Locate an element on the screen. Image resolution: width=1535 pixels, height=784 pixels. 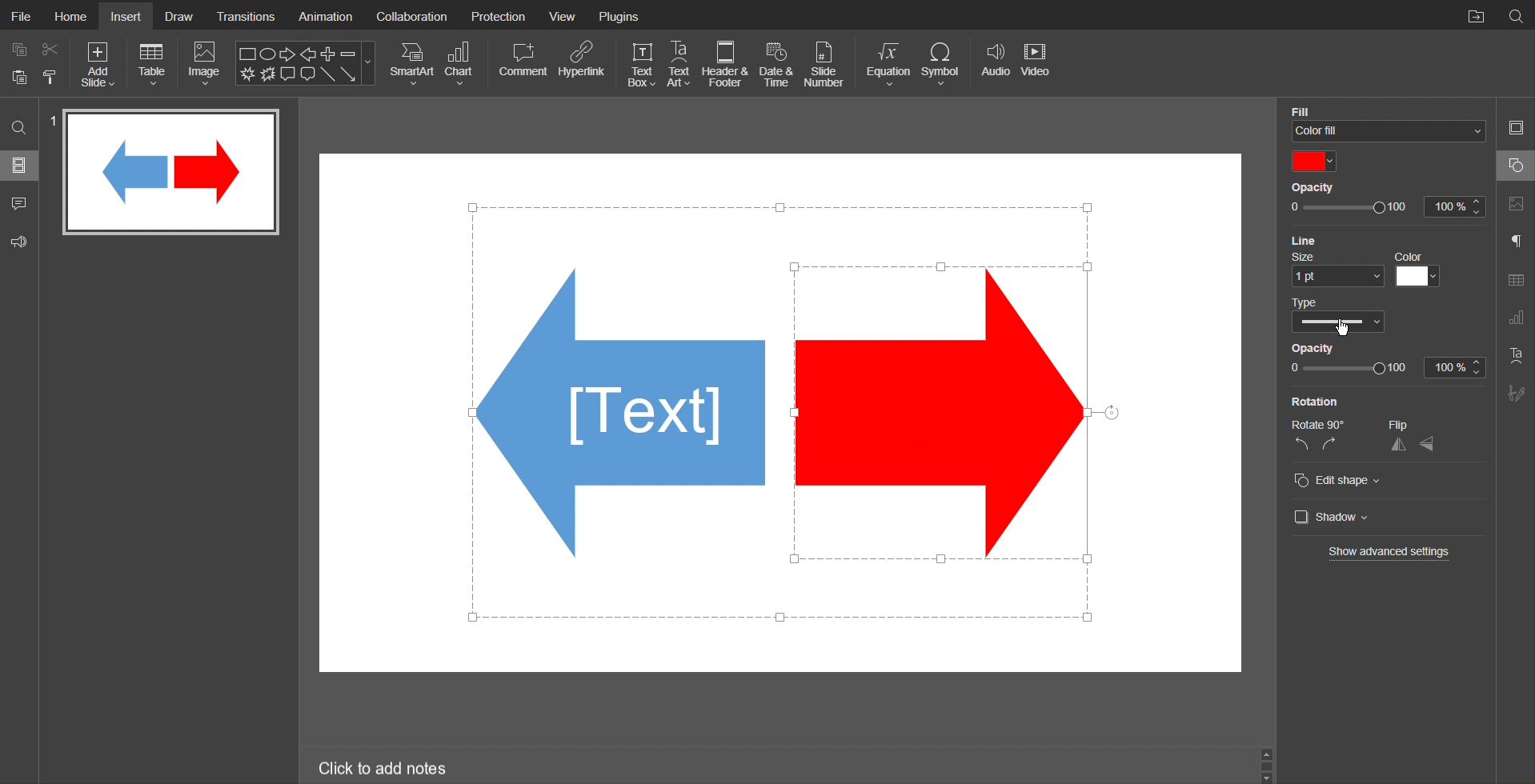
Table is located at coordinates (153, 64).